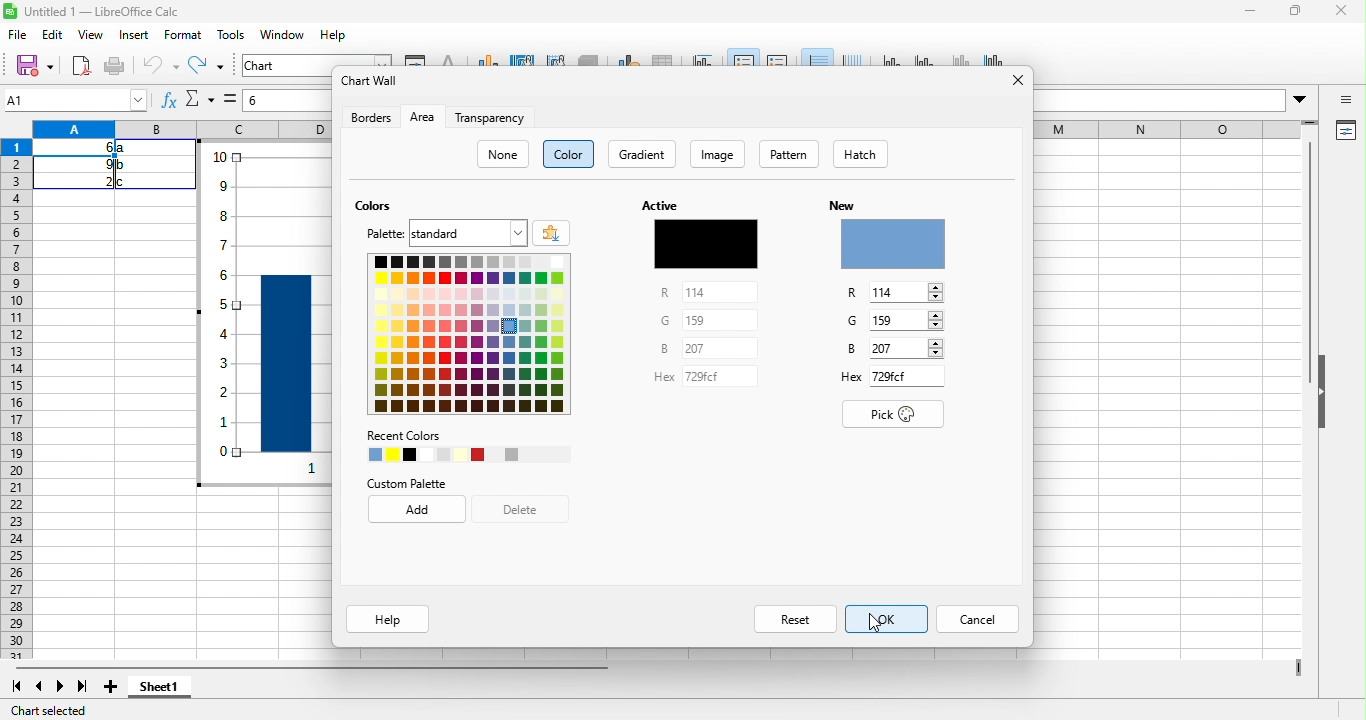  Describe the element at coordinates (104, 165) in the screenshot. I see `9` at that location.